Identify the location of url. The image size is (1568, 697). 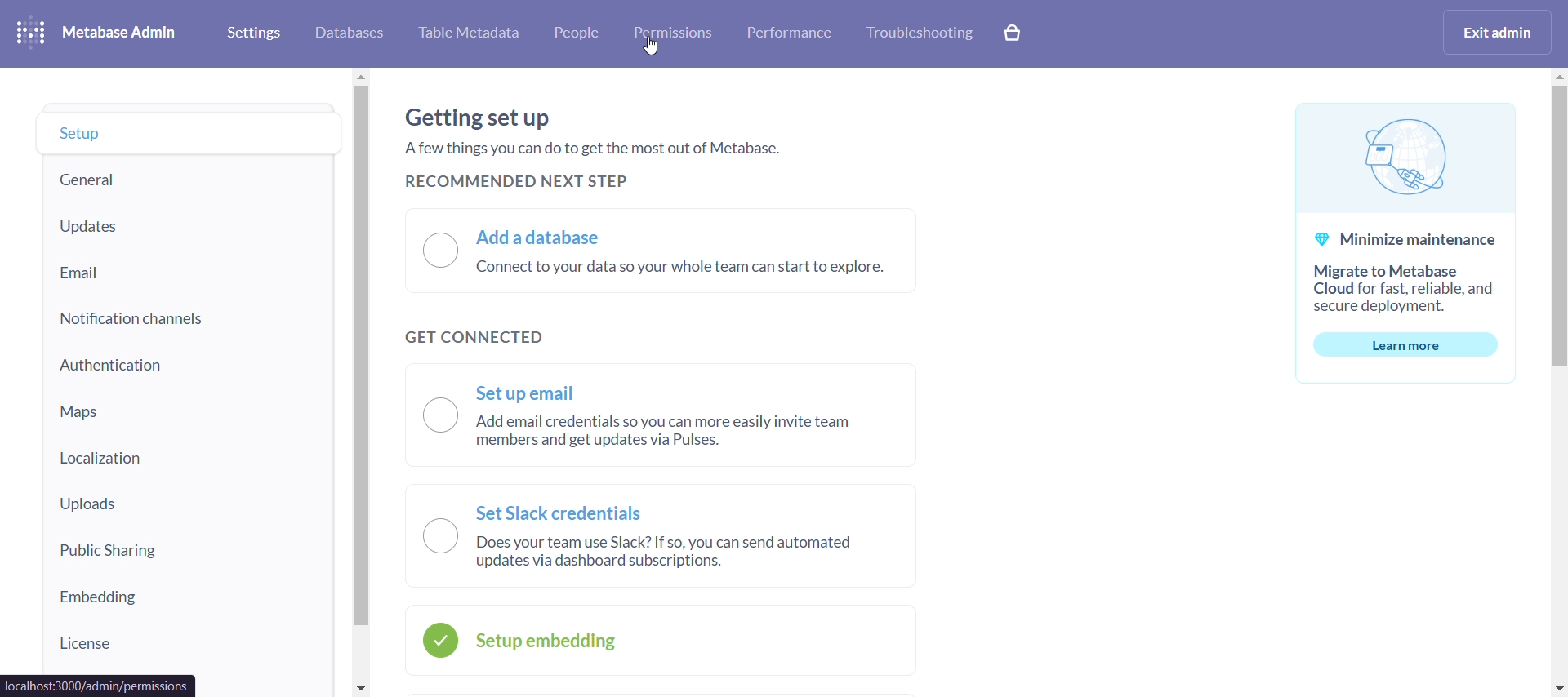
(100, 686).